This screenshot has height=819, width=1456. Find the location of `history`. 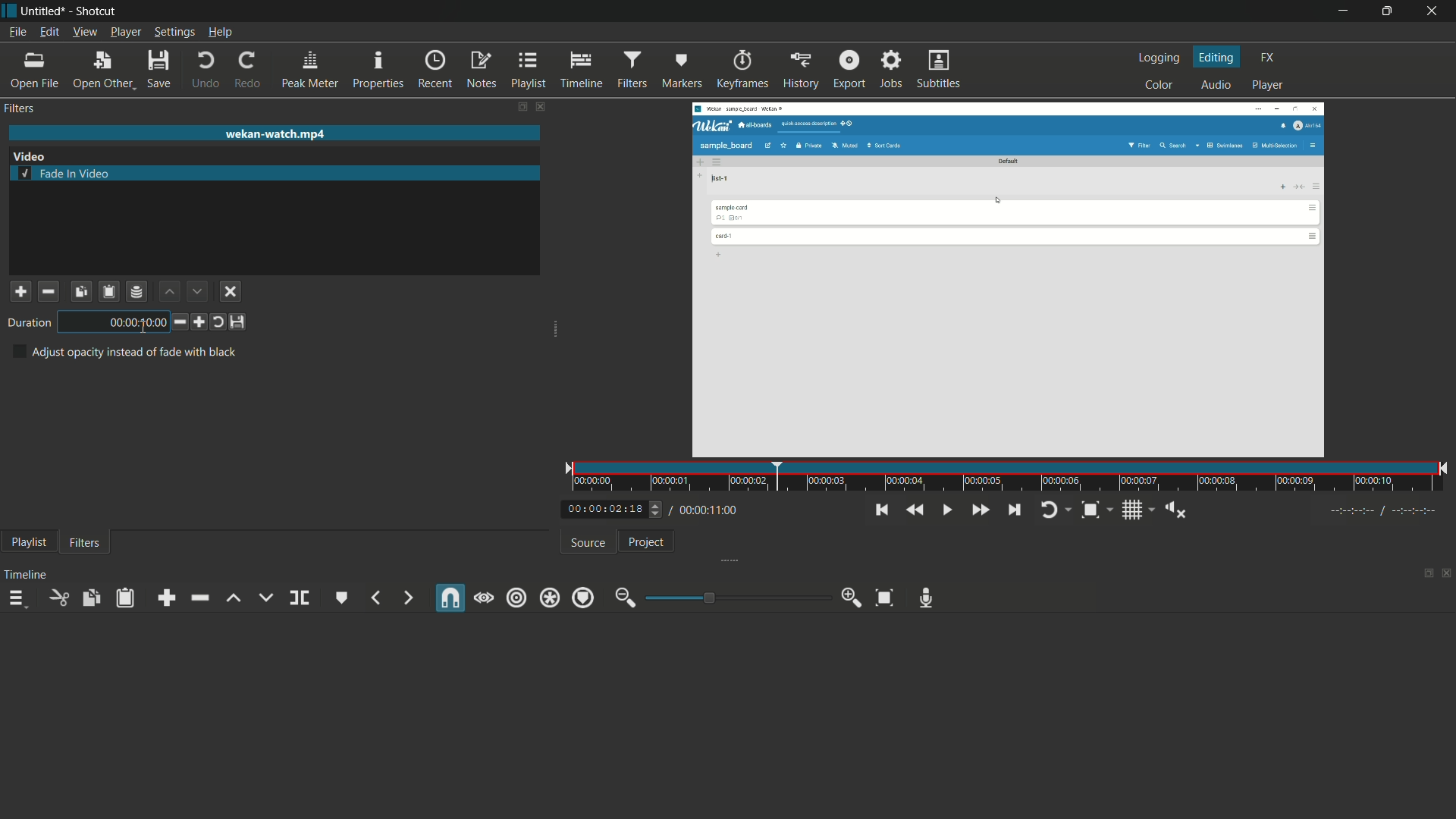

history is located at coordinates (800, 71).